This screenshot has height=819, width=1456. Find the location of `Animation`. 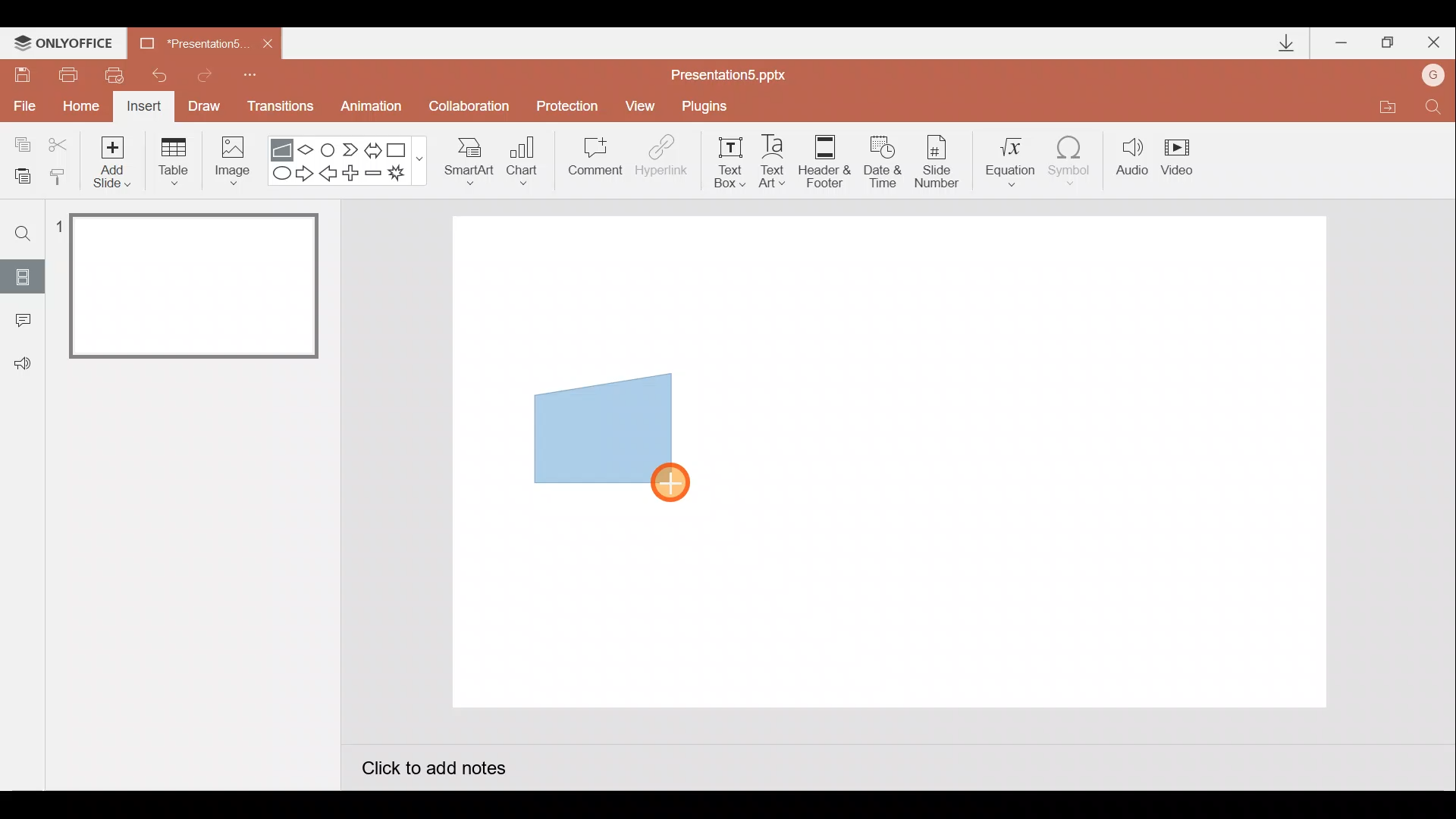

Animation is located at coordinates (373, 108).